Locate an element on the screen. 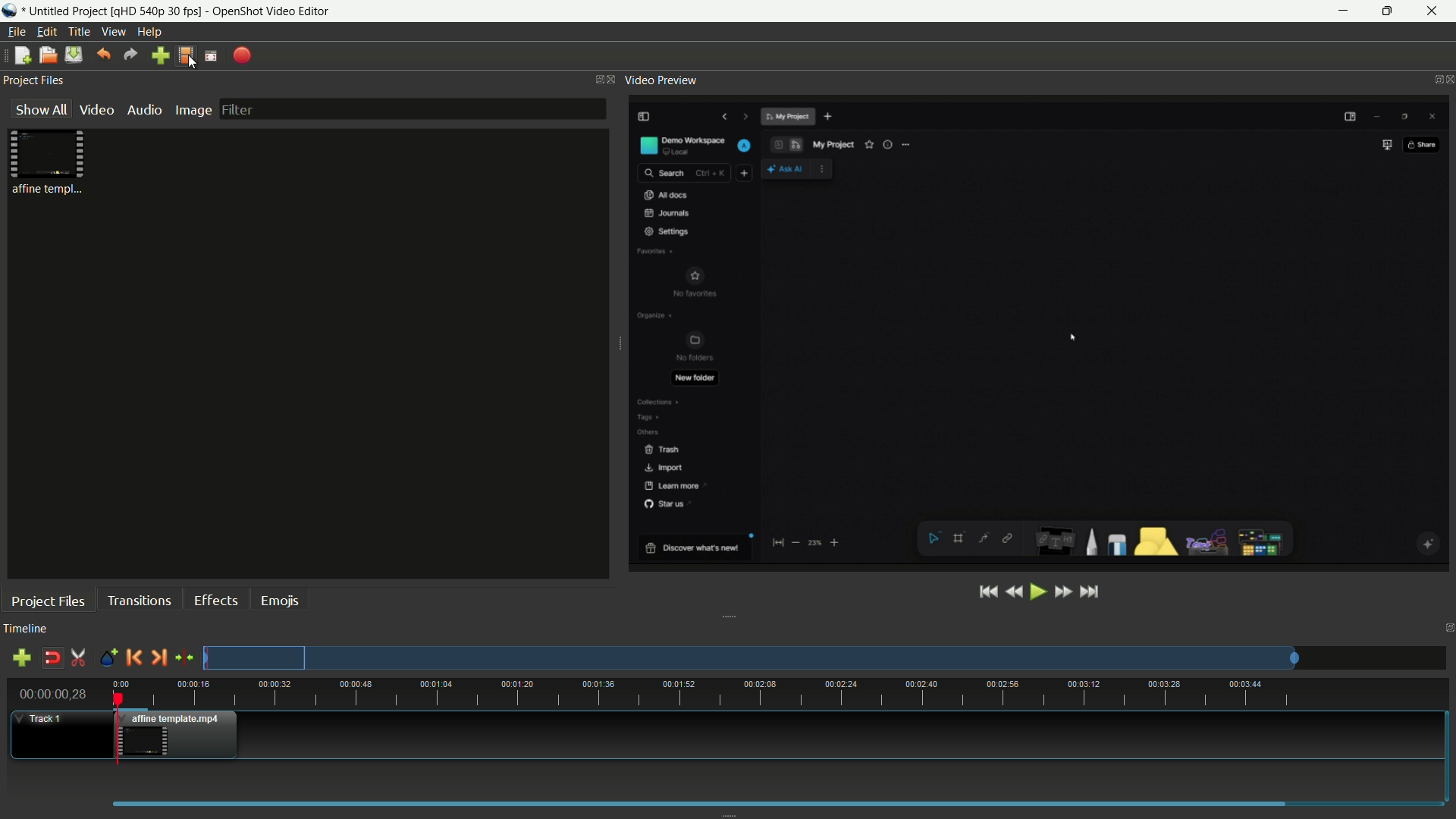 The height and width of the screenshot is (819, 1456). preview track is located at coordinates (750, 657).